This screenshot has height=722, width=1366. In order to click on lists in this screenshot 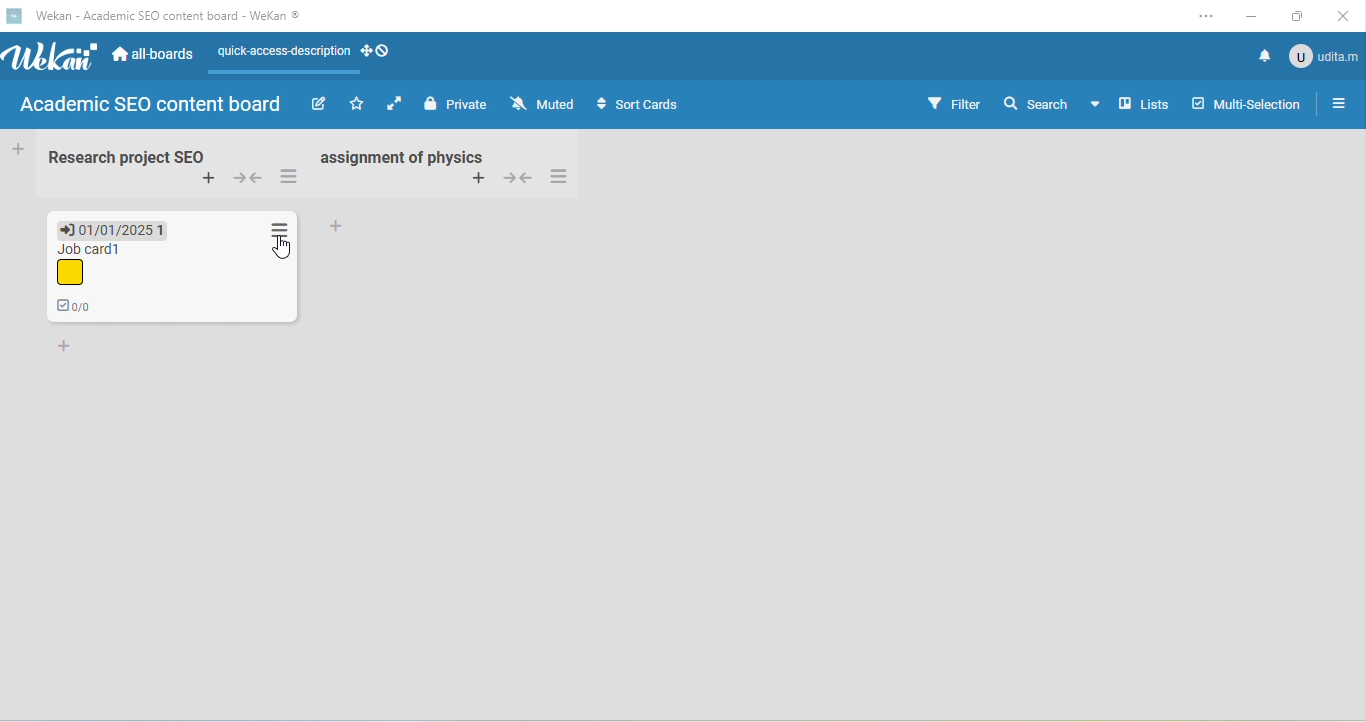, I will do `click(1144, 105)`.